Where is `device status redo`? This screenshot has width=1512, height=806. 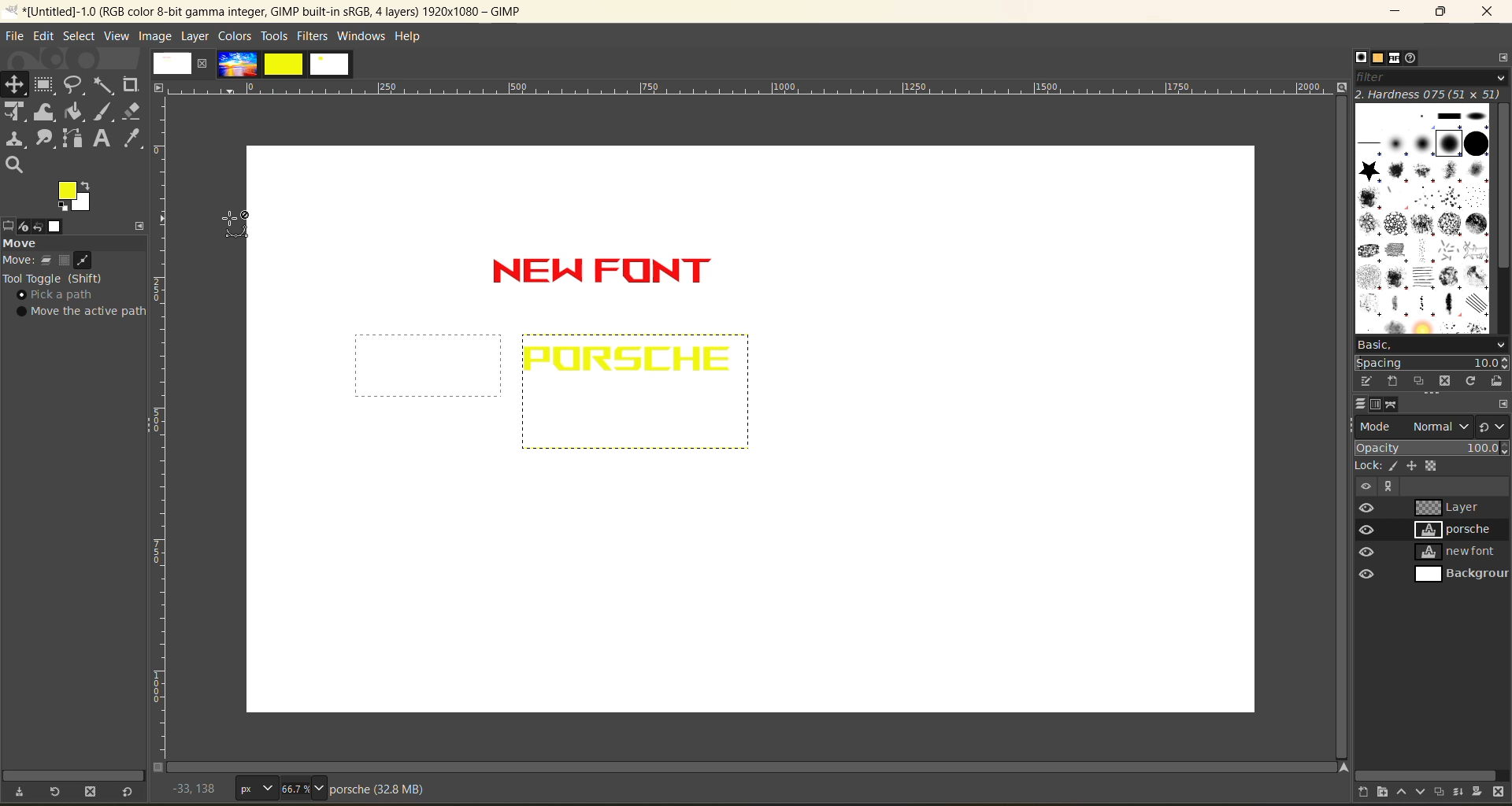
device status redo is located at coordinates (31, 227).